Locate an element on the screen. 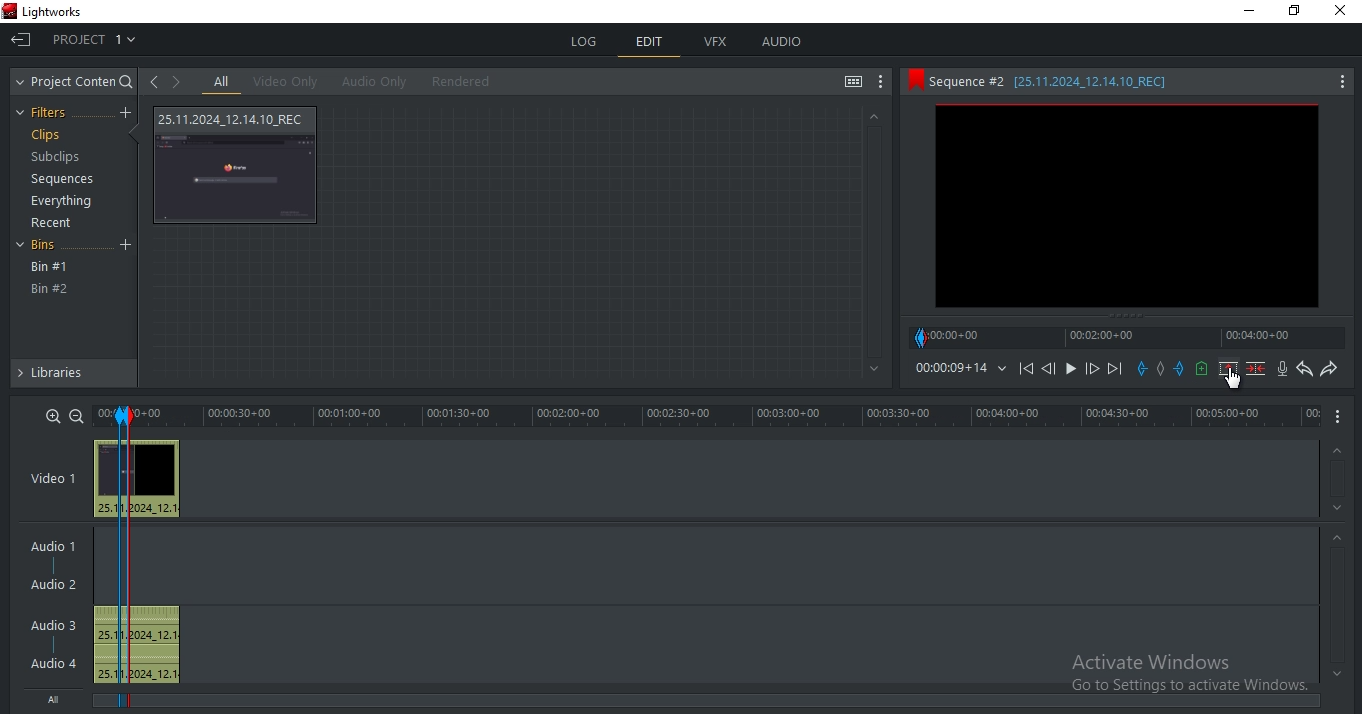 The image size is (1362, 714). libraries is located at coordinates (72, 377).